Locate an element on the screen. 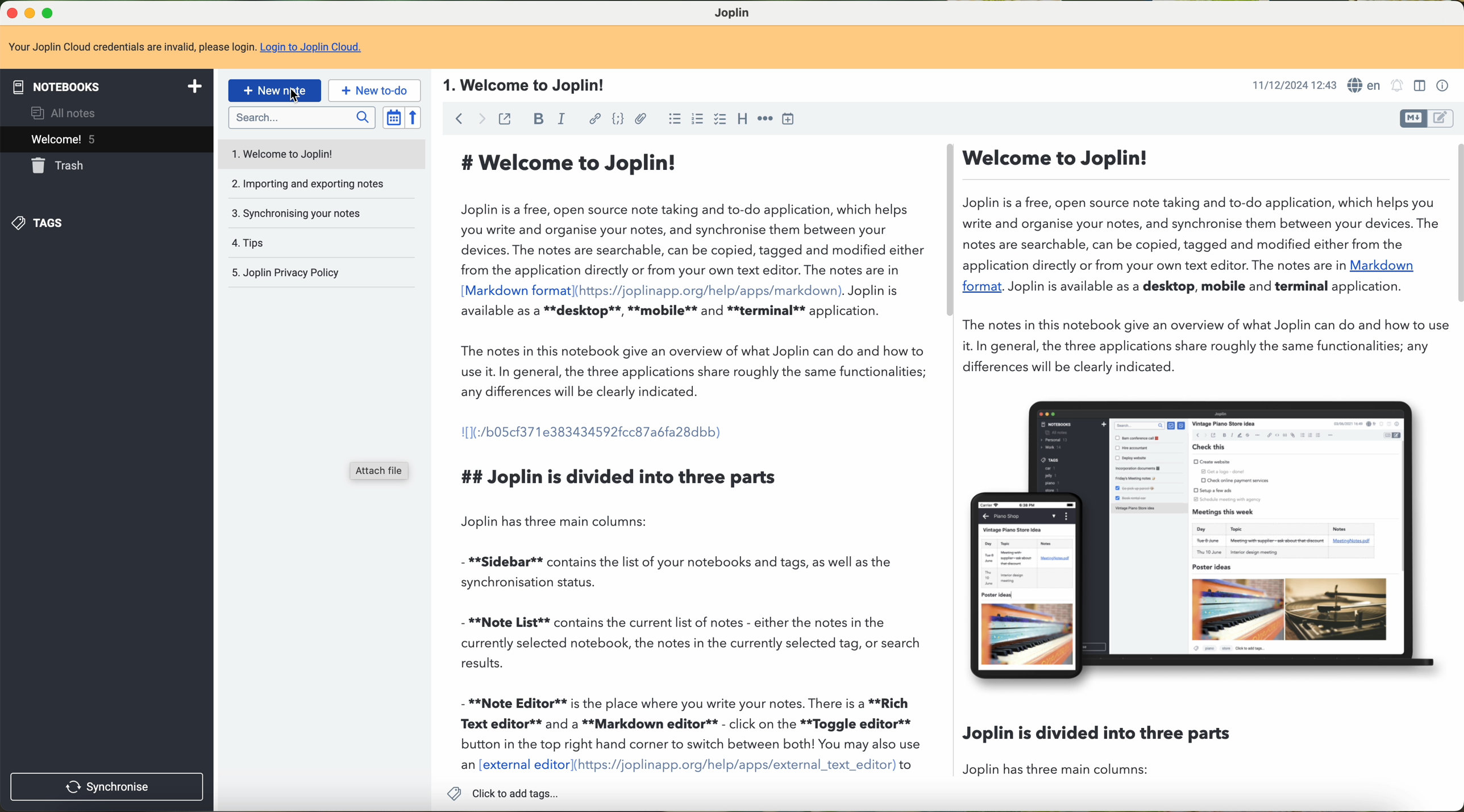  language is located at coordinates (1365, 85).